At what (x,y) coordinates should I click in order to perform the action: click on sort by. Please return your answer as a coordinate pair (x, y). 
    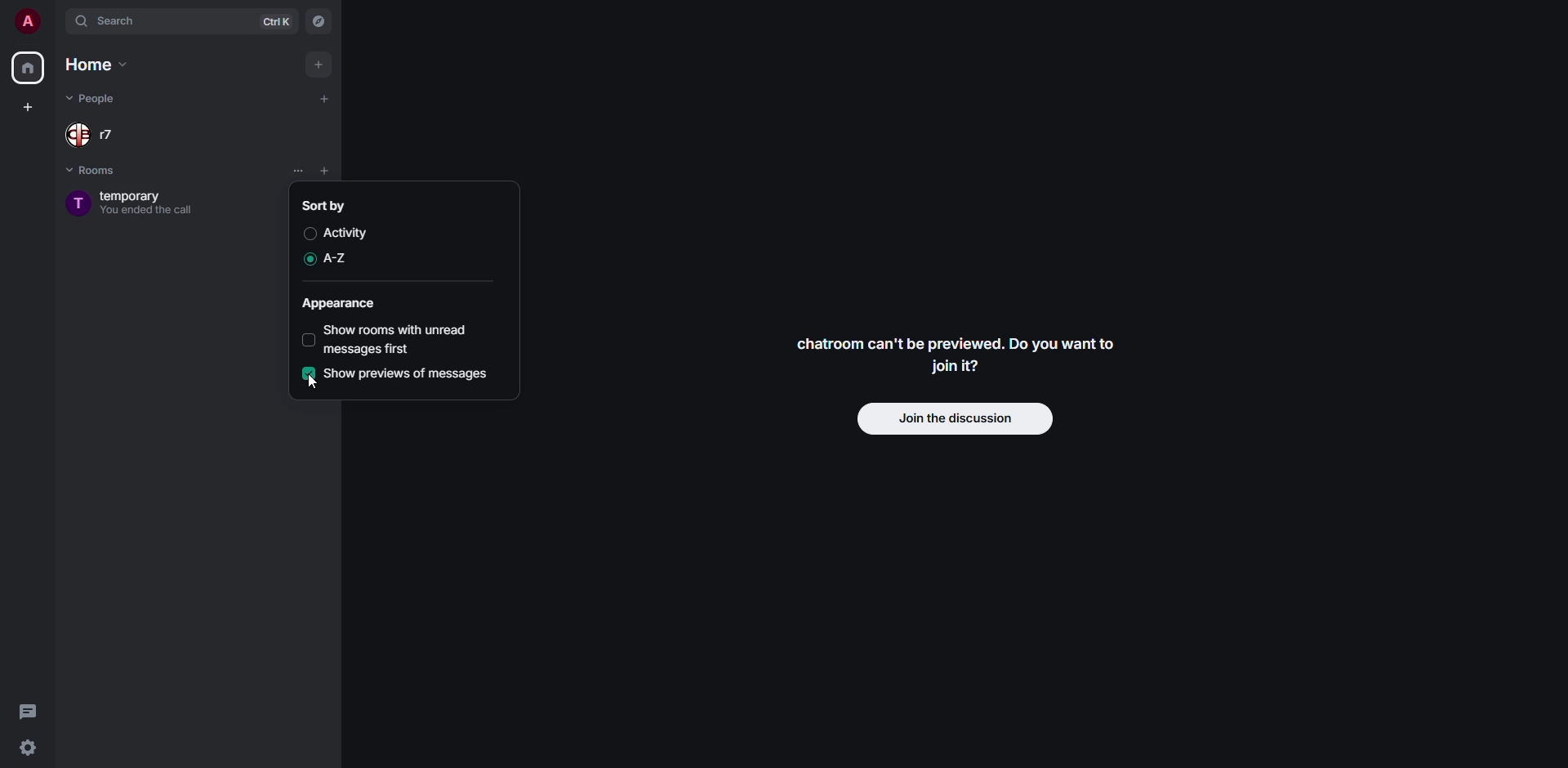
    Looking at the image, I should click on (325, 205).